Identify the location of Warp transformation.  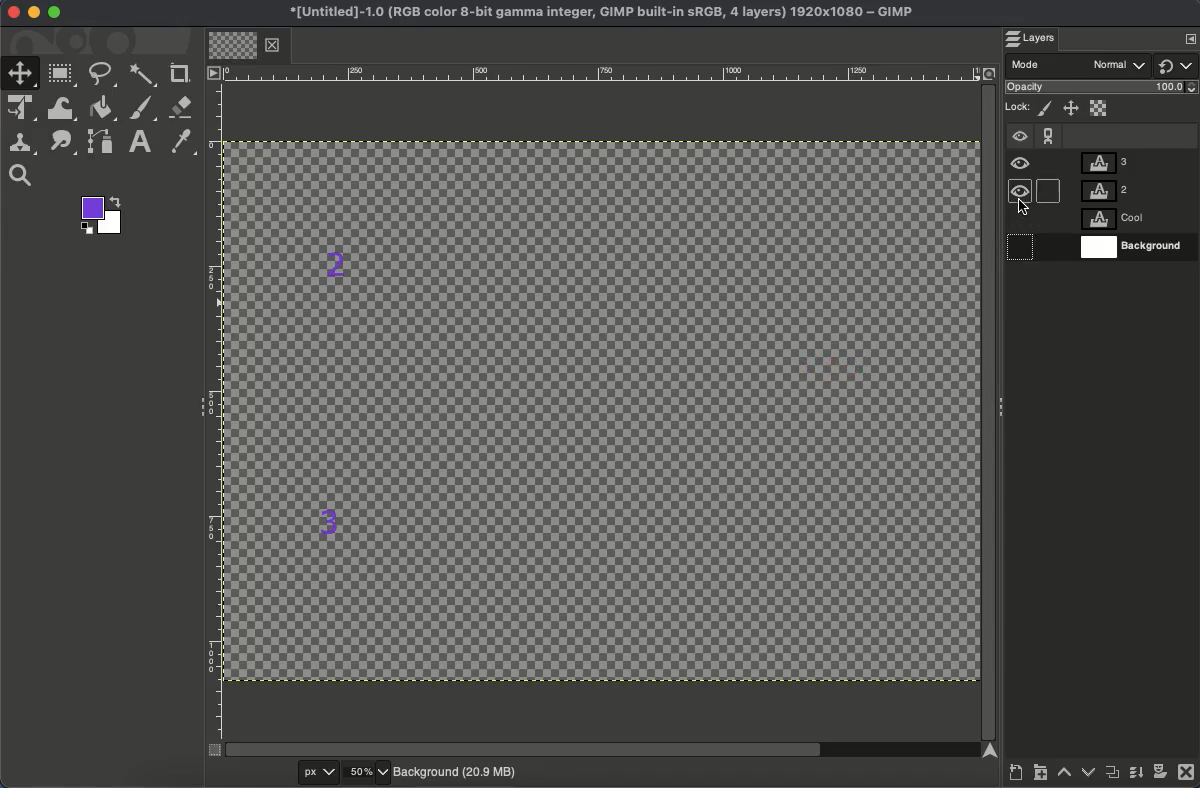
(63, 110).